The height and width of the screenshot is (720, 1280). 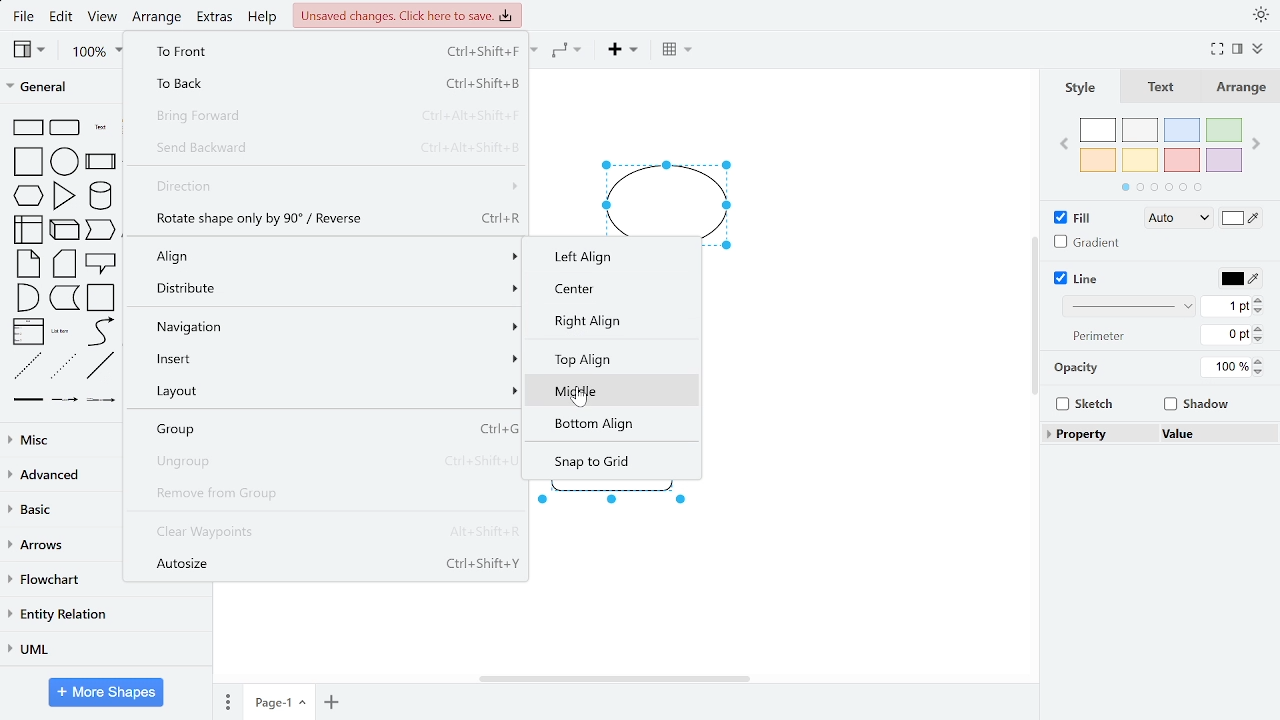 What do you see at coordinates (1259, 311) in the screenshot?
I see `decrease line thickness` at bounding box center [1259, 311].